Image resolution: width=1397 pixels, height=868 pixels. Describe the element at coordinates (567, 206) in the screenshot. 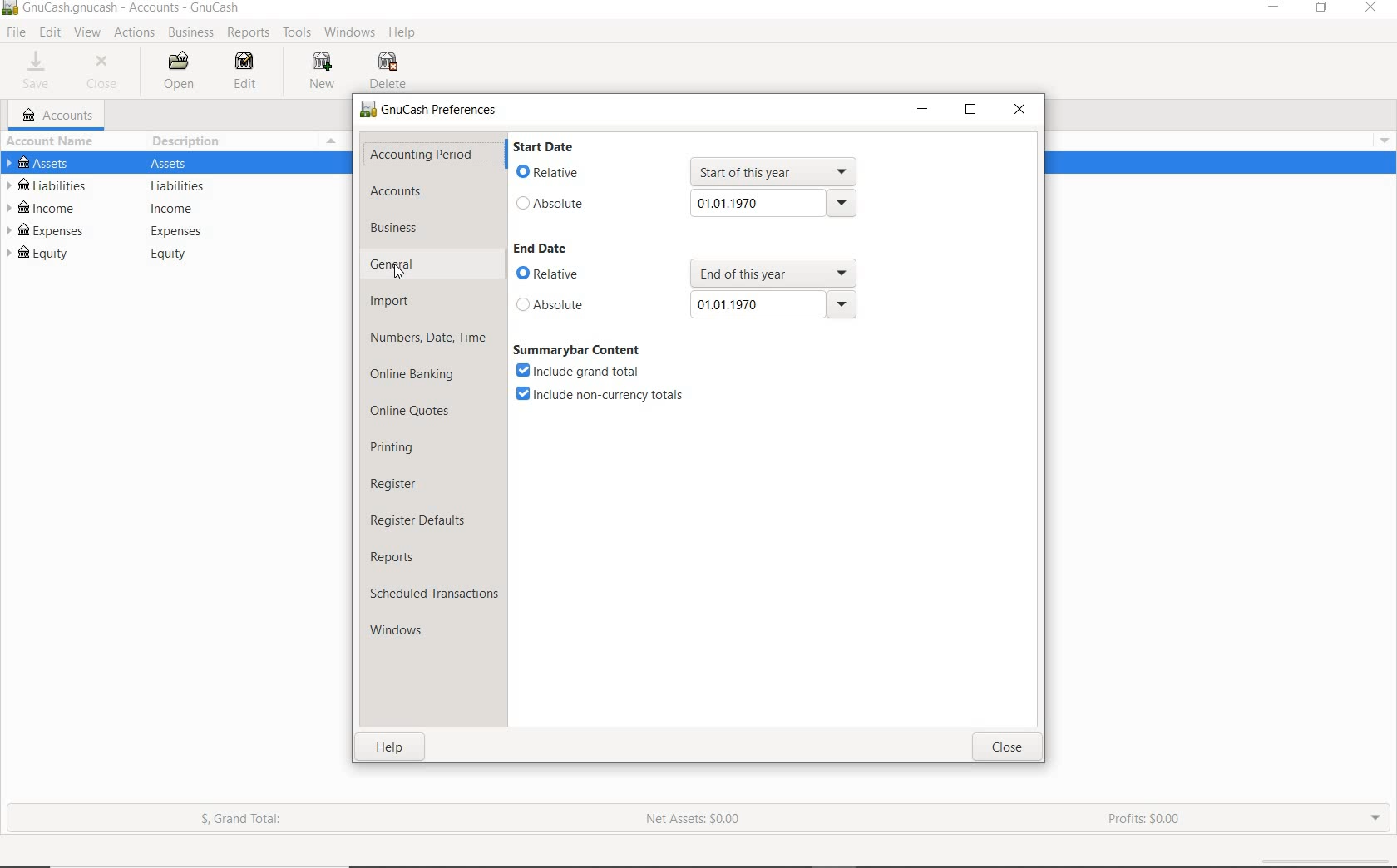

I see `ABSOLUTE` at that location.